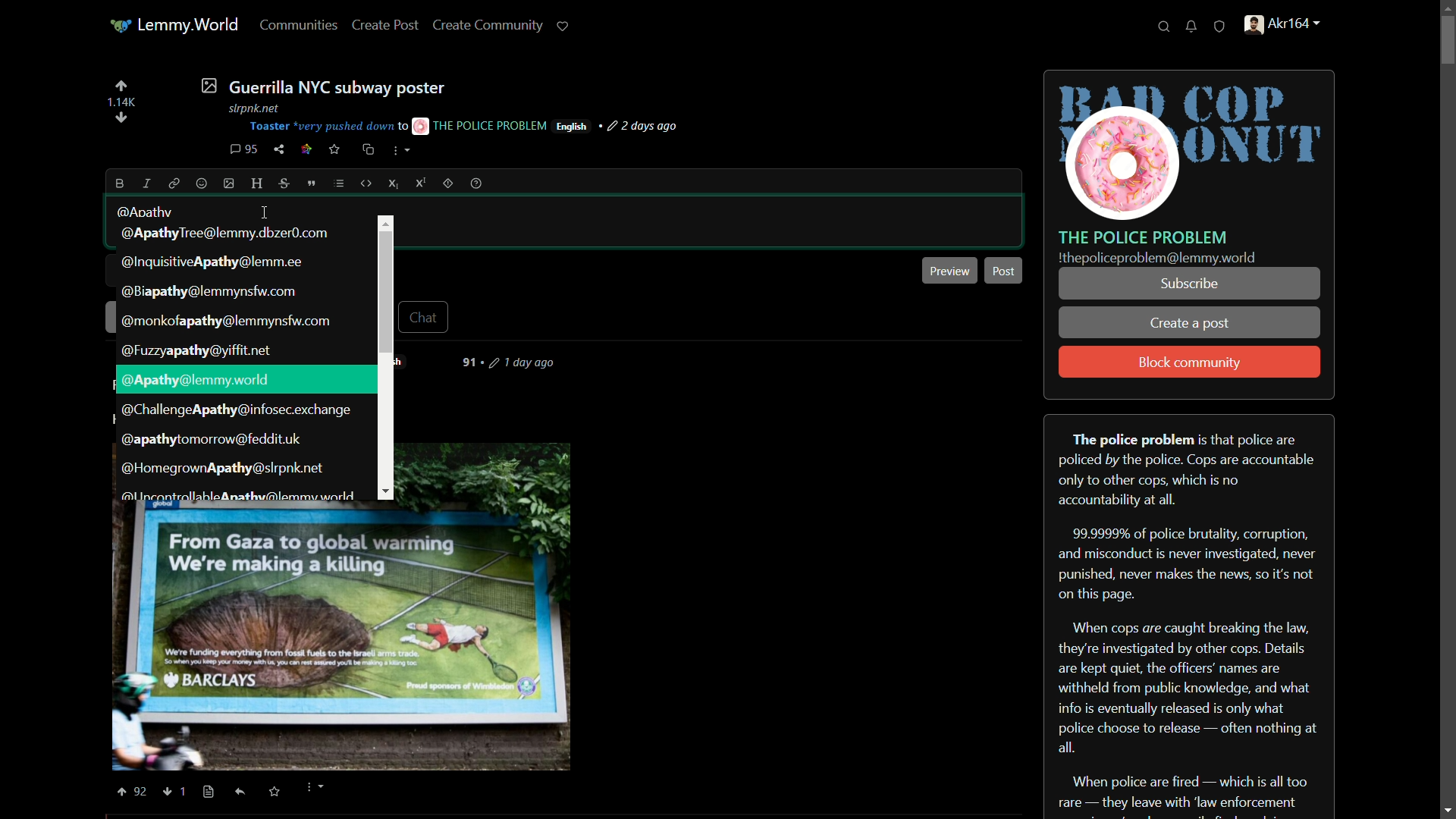 The image size is (1456, 819). What do you see at coordinates (572, 127) in the screenshot?
I see `language` at bounding box center [572, 127].